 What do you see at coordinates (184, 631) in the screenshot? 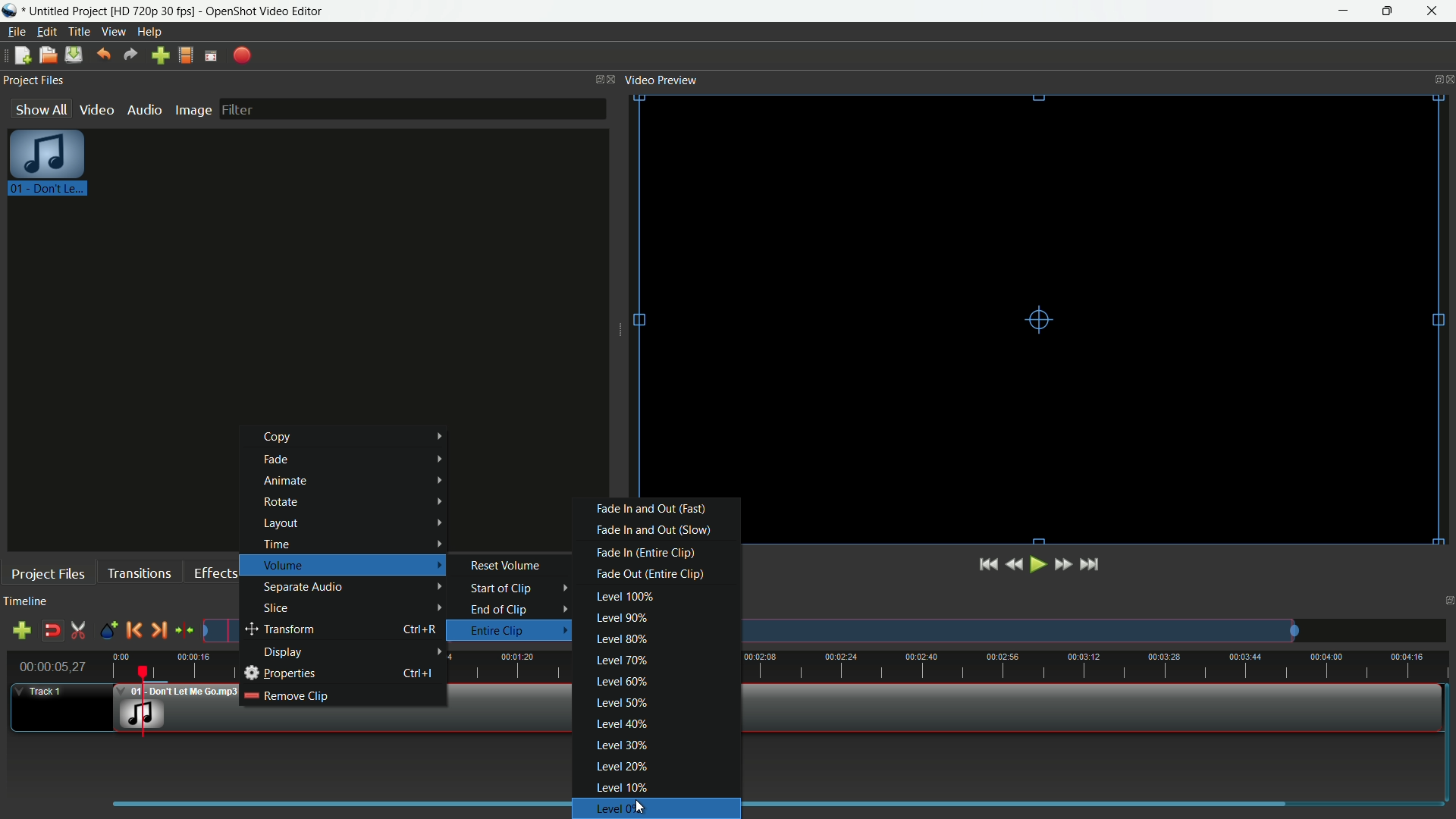
I see `center the timeline on the playhead` at bounding box center [184, 631].